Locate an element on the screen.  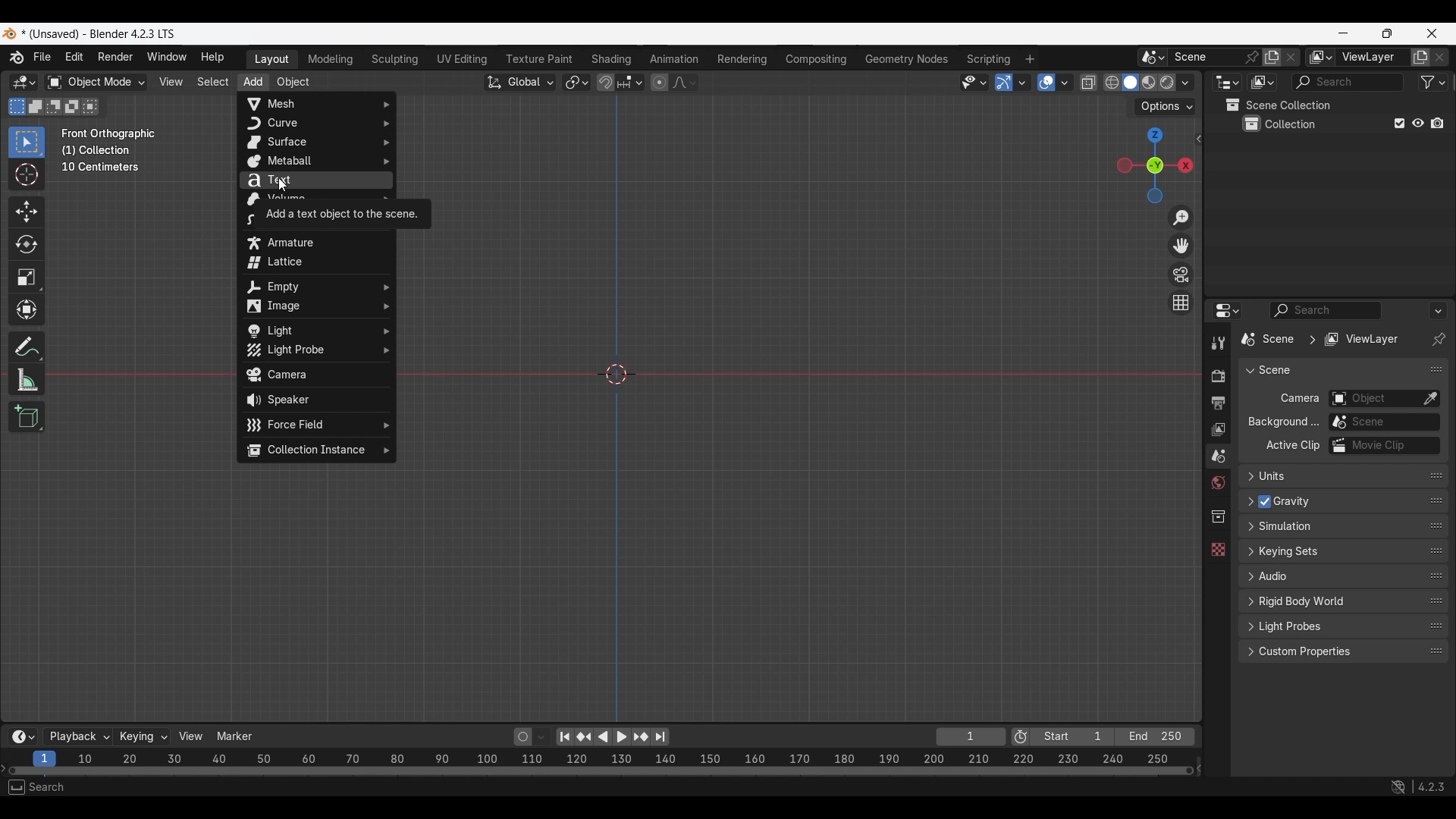
Current frame, highlighted is located at coordinates (45, 756).